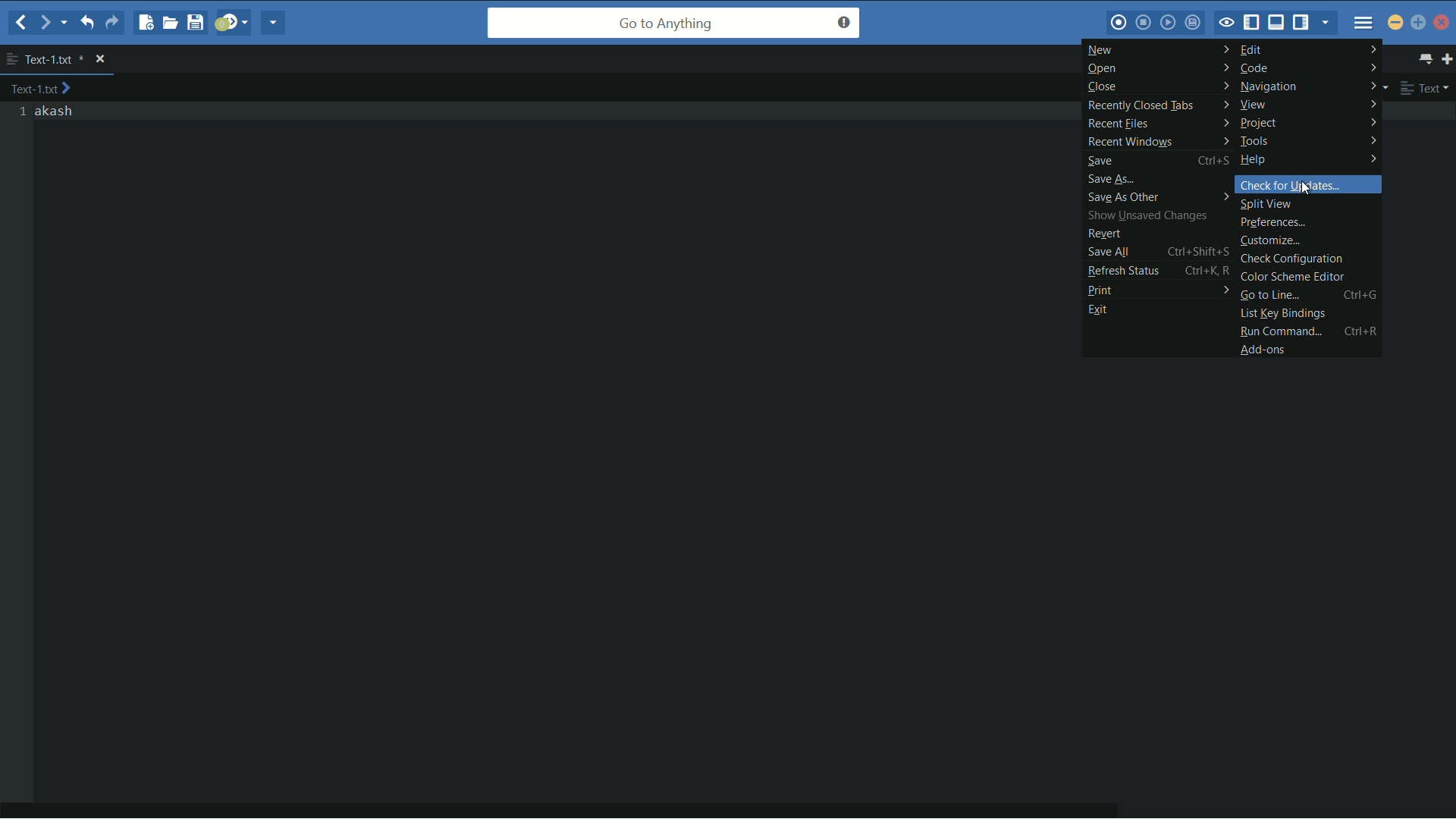 The width and height of the screenshot is (1456, 819). What do you see at coordinates (1170, 22) in the screenshot?
I see `play last macro` at bounding box center [1170, 22].